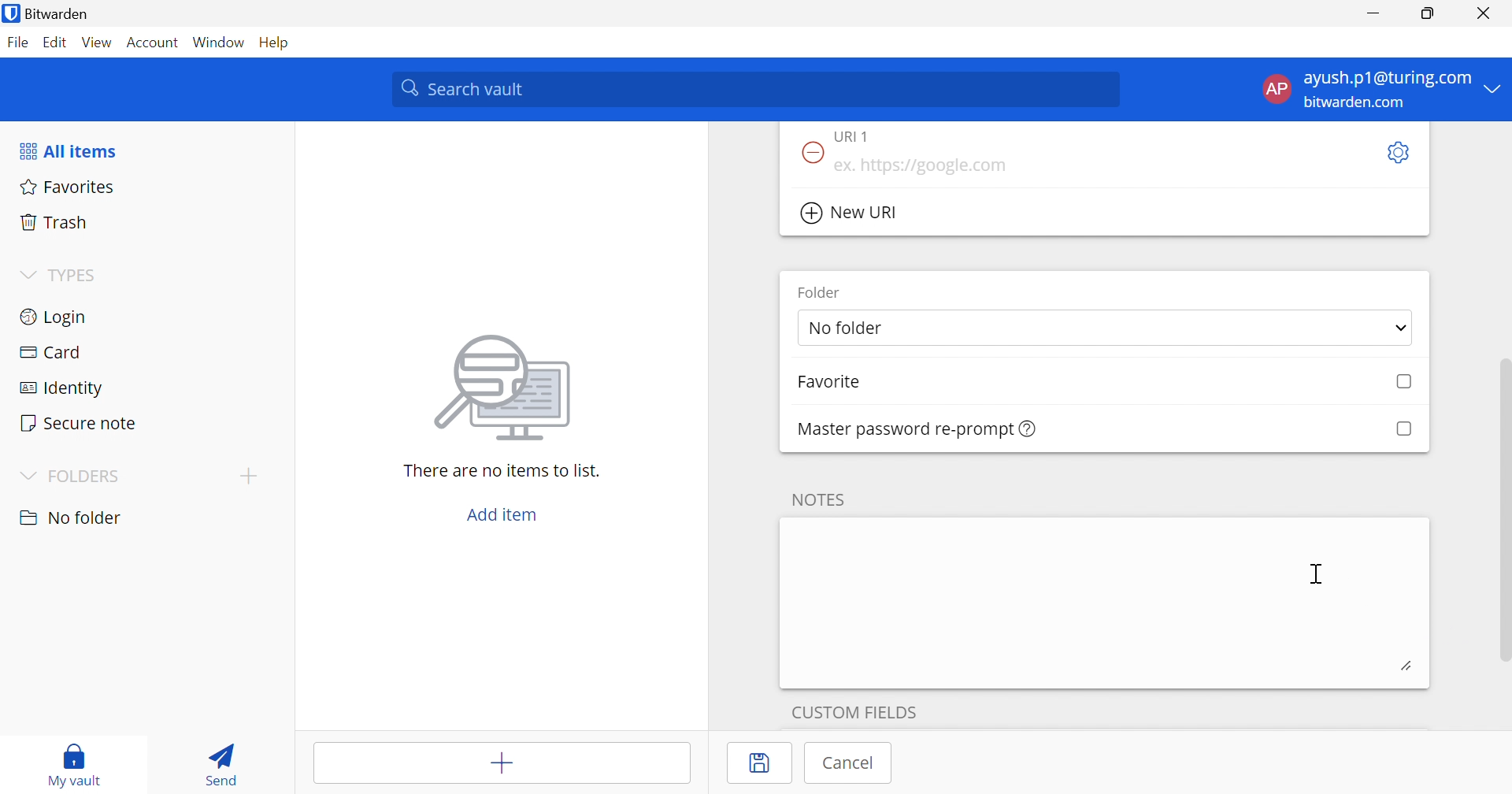 The image size is (1512, 794). Describe the element at coordinates (1358, 103) in the screenshot. I see `bitwarden.com` at that location.